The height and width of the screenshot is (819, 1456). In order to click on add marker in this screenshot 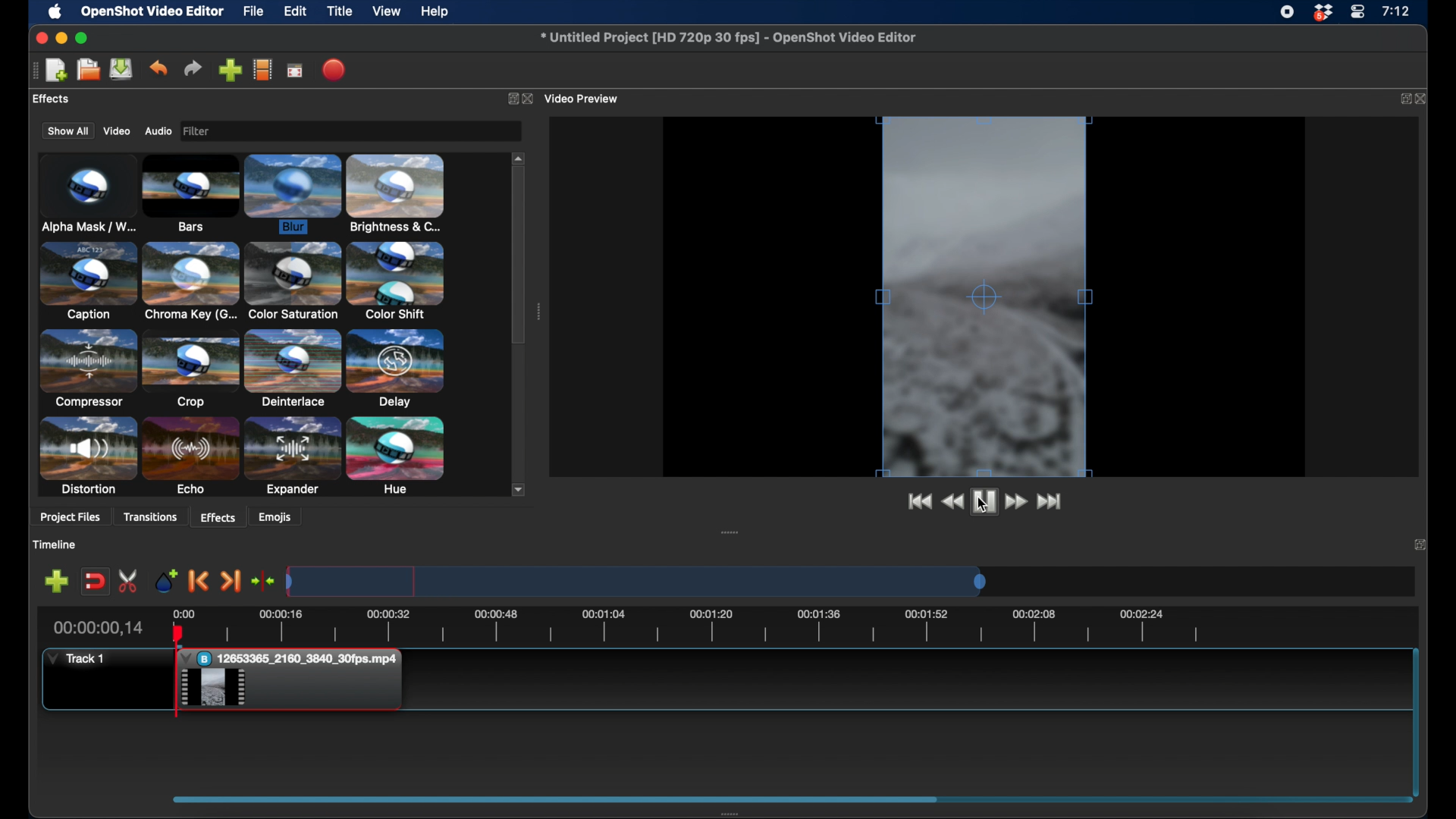, I will do `click(165, 580)`.